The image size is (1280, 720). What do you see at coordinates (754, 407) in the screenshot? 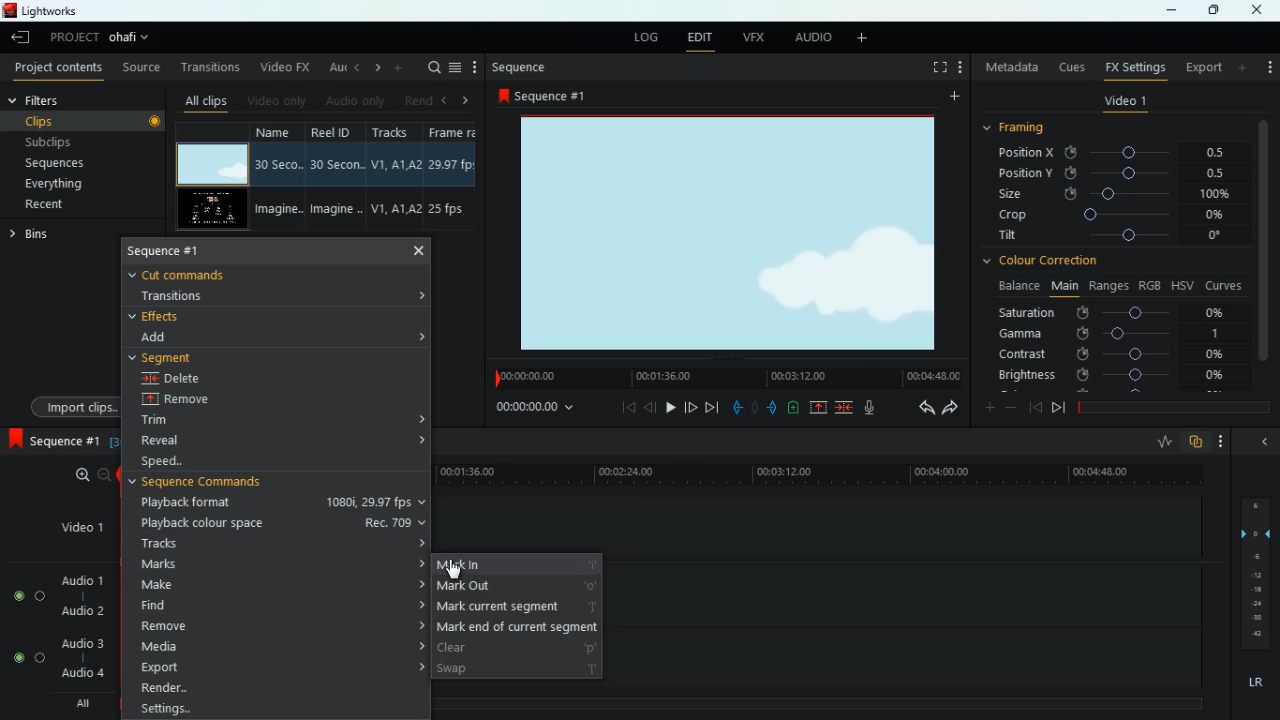
I see `hold` at bounding box center [754, 407].